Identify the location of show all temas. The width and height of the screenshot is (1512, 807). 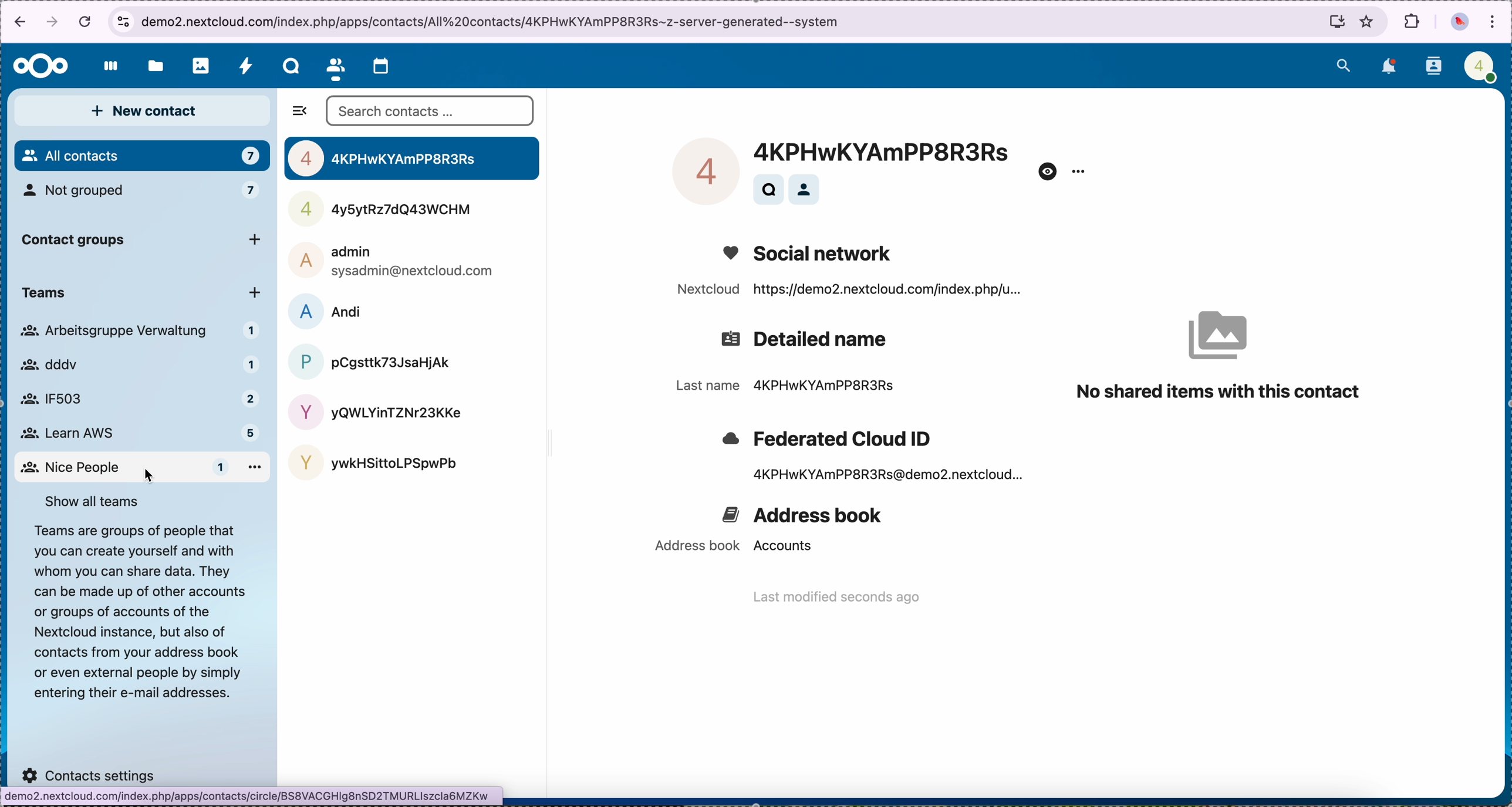
(93, 501).